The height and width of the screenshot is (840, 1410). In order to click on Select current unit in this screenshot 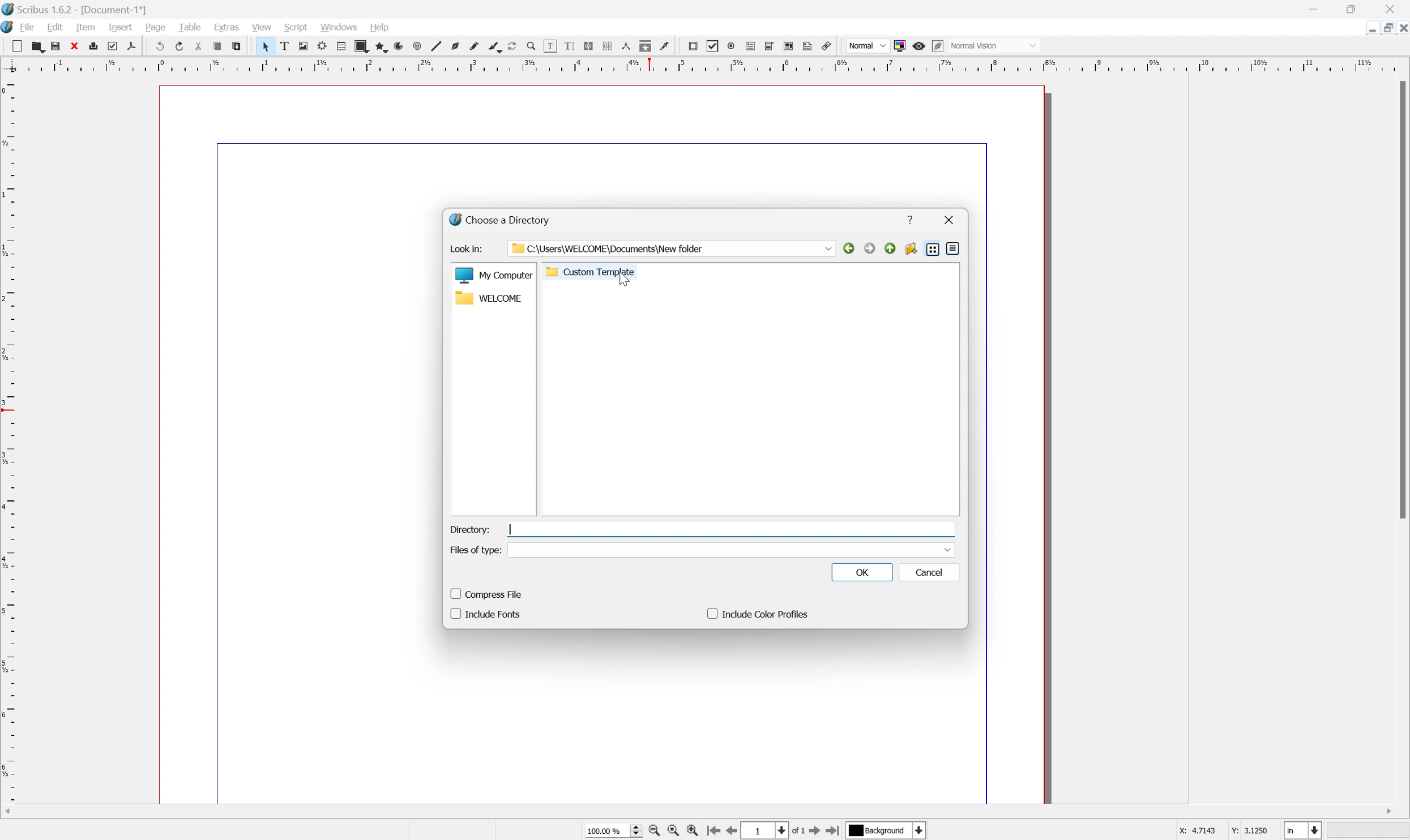, I will do `click(1302, 829)`.